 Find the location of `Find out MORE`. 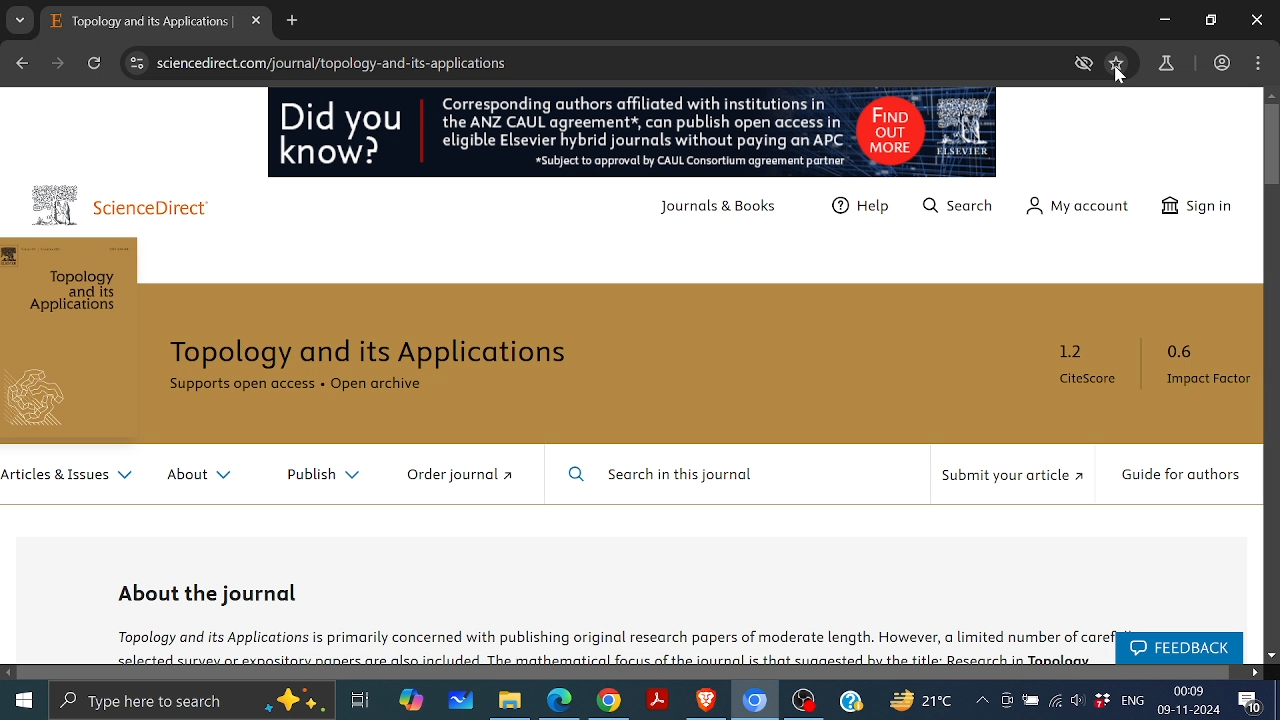

Find out MORE is located at coordinates (925, 132).